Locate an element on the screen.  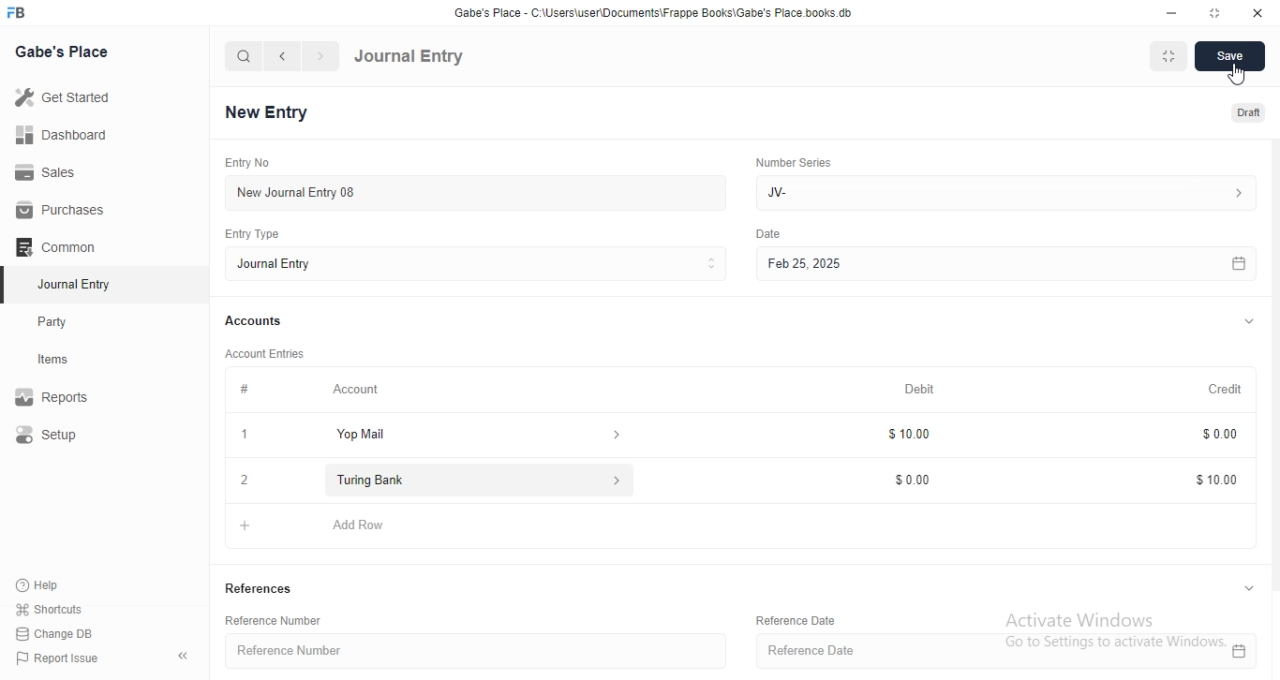
close is located at coordinates (246, 480).